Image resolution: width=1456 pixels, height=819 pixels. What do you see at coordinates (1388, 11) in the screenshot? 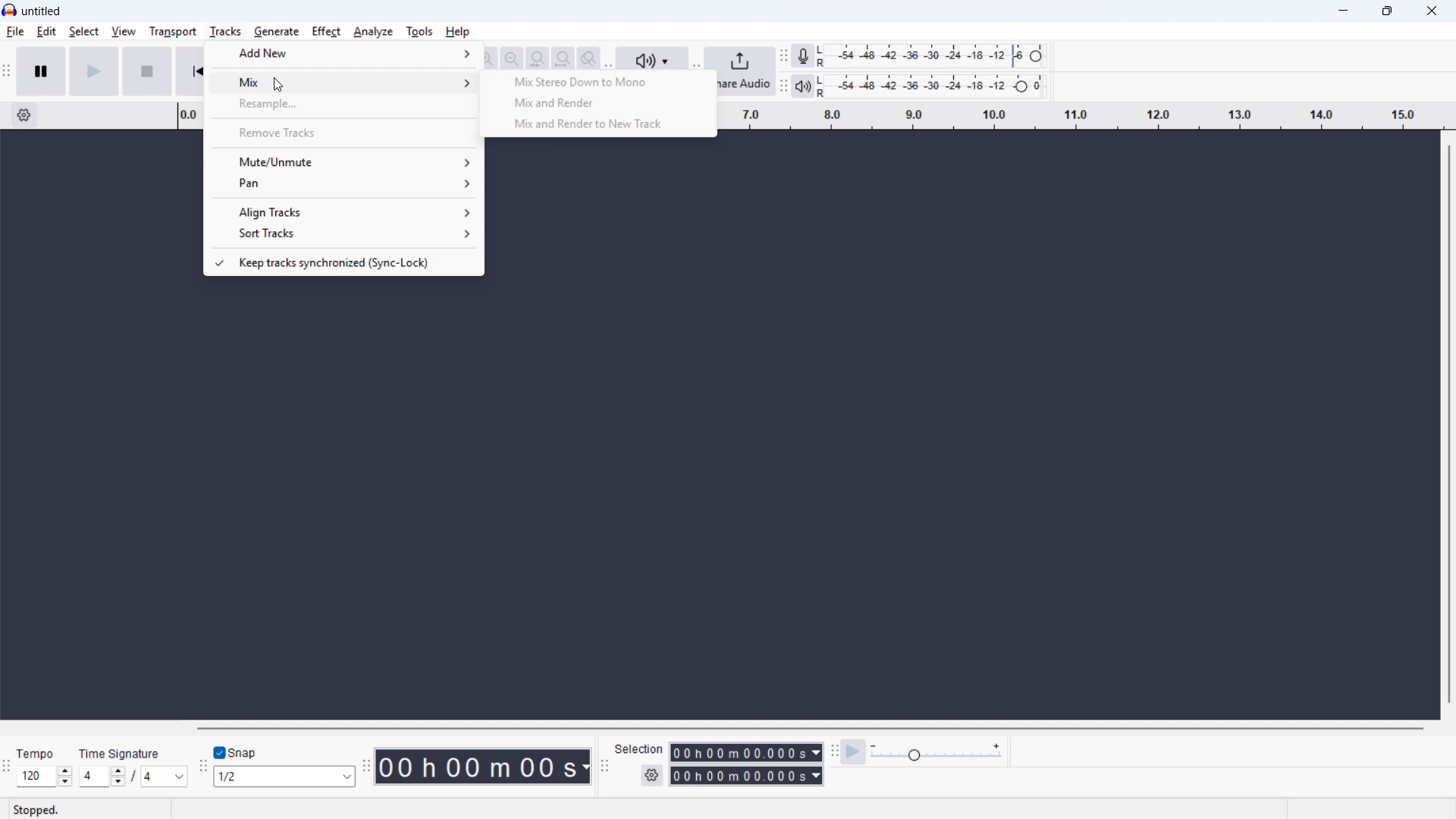
I see `maximise ` at bounding box center [1388, 11].